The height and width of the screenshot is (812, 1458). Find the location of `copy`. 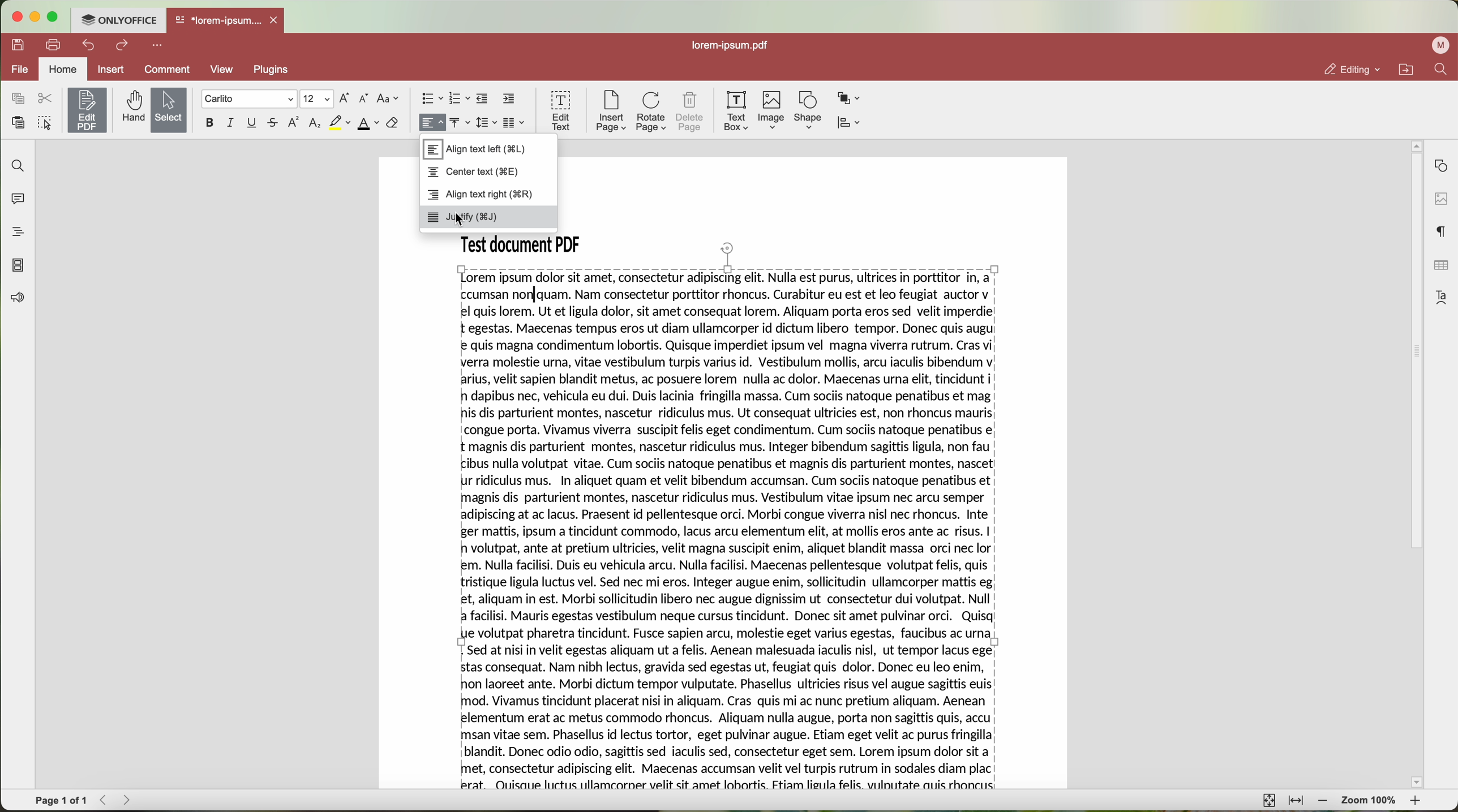

copy is located at coordinates (18, 98).